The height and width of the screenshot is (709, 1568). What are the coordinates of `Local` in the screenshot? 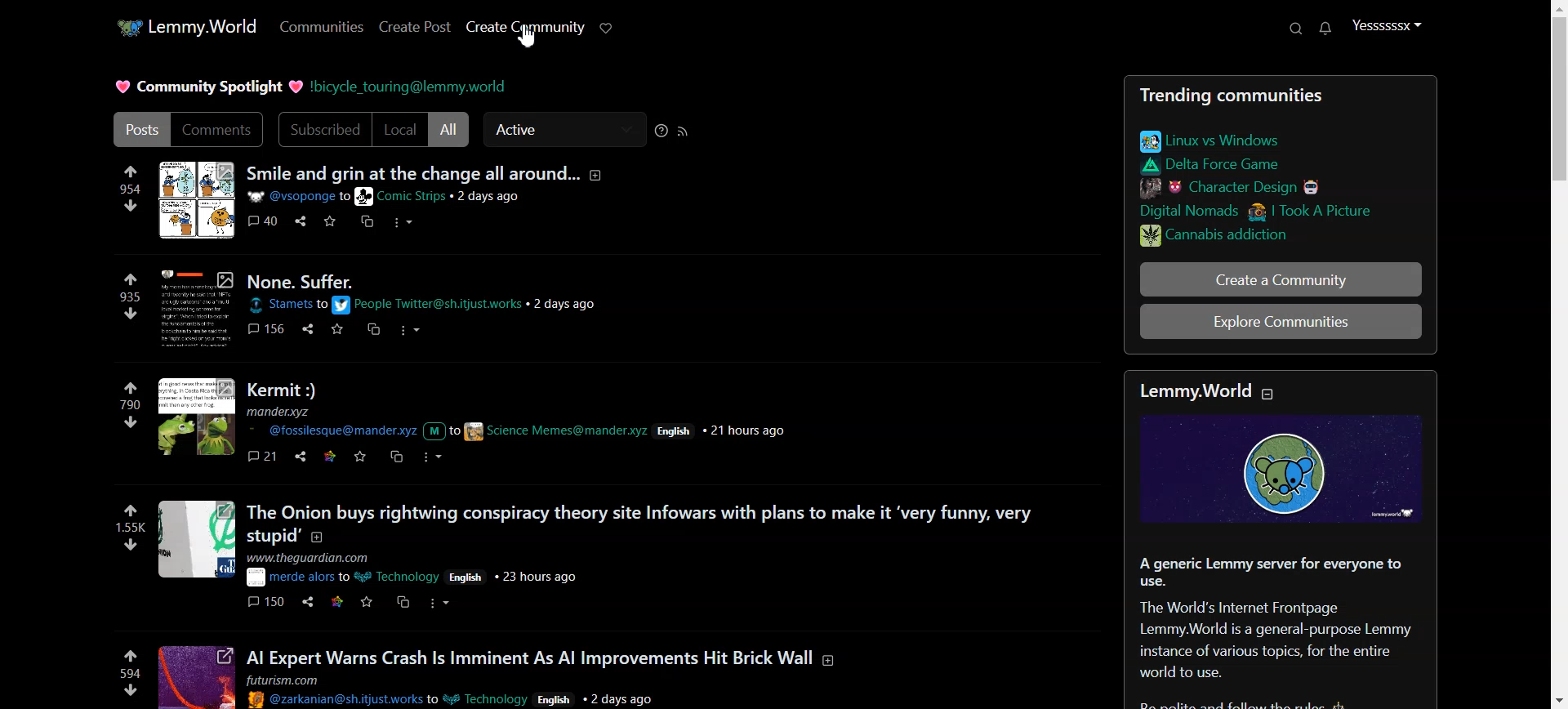 It's located at (401, 130).